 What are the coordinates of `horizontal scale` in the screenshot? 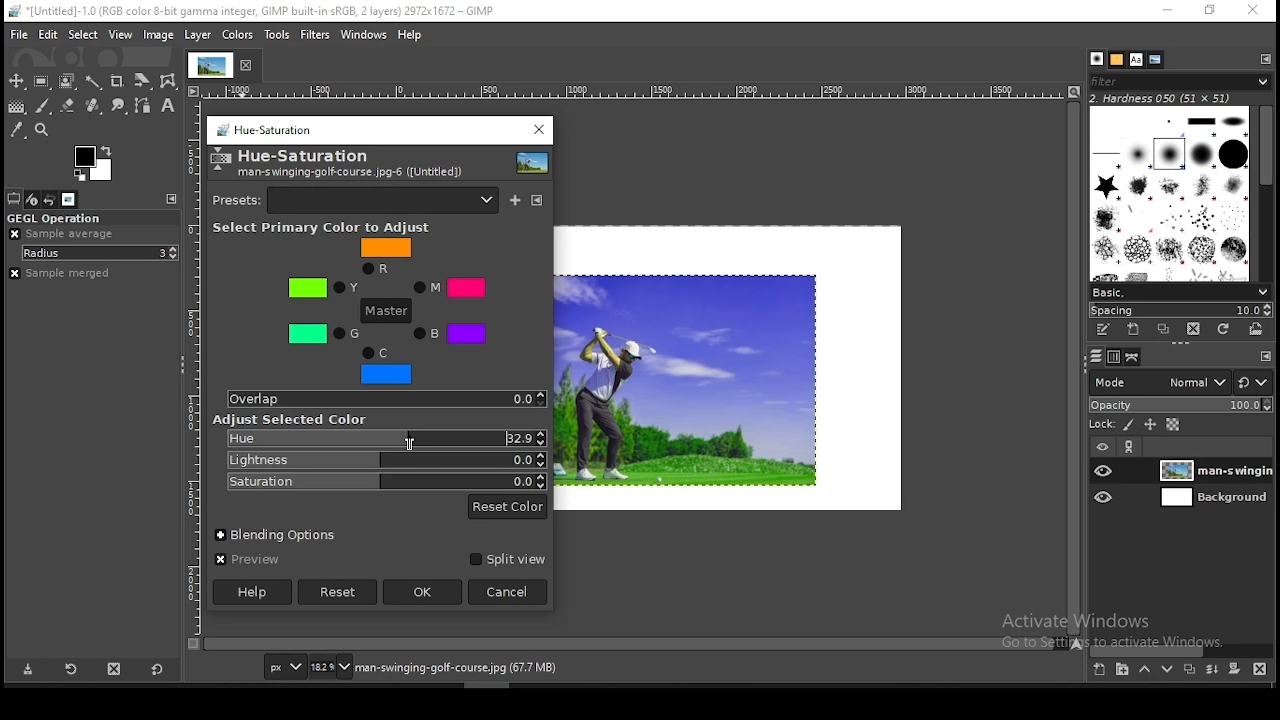 It's located at (195, 369).